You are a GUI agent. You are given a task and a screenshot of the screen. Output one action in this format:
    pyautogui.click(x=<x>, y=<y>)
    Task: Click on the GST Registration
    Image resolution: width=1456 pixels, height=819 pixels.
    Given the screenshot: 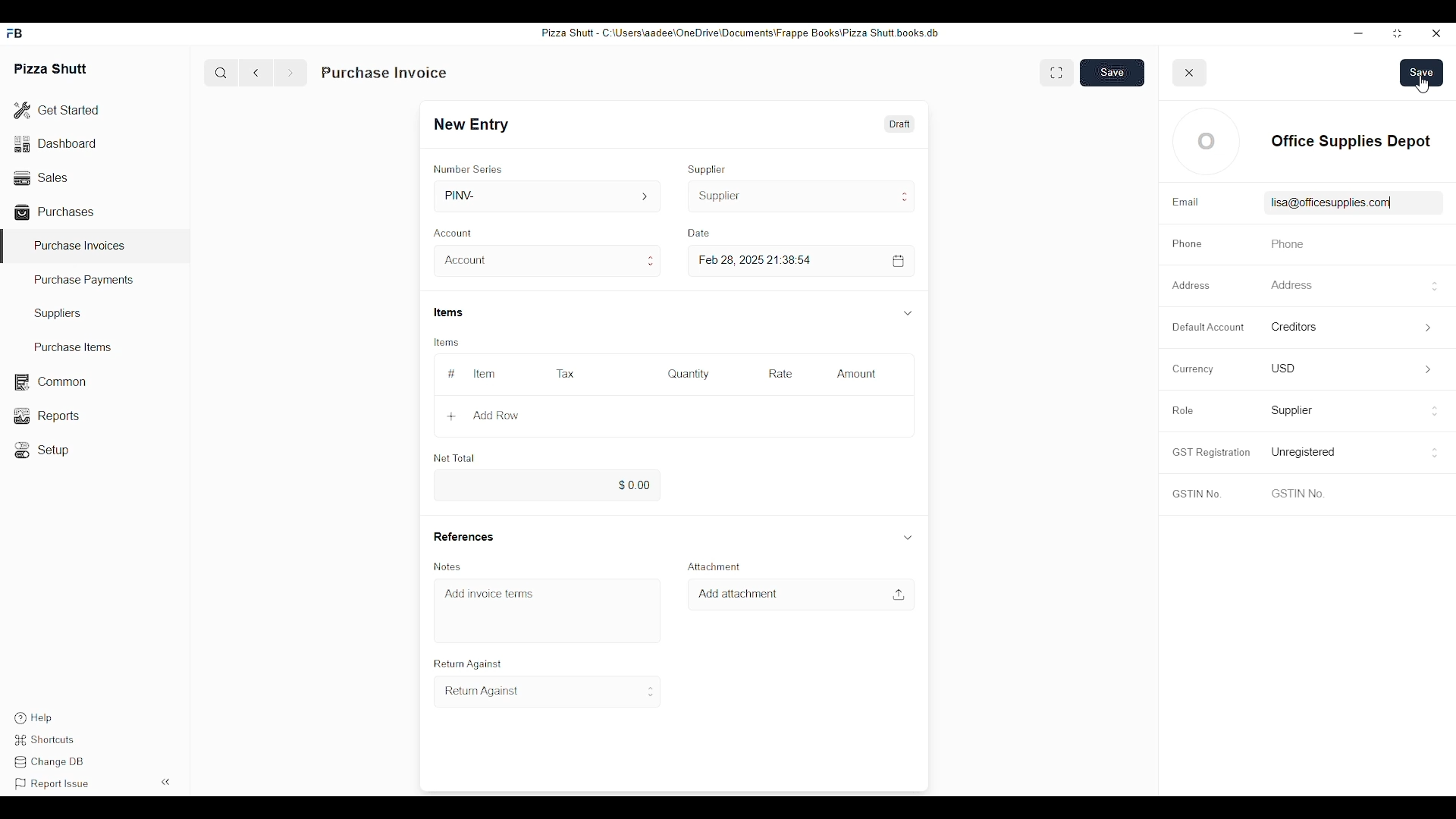 What is the action you would take?
    pyautogui.click(x=1210, y=452)
    